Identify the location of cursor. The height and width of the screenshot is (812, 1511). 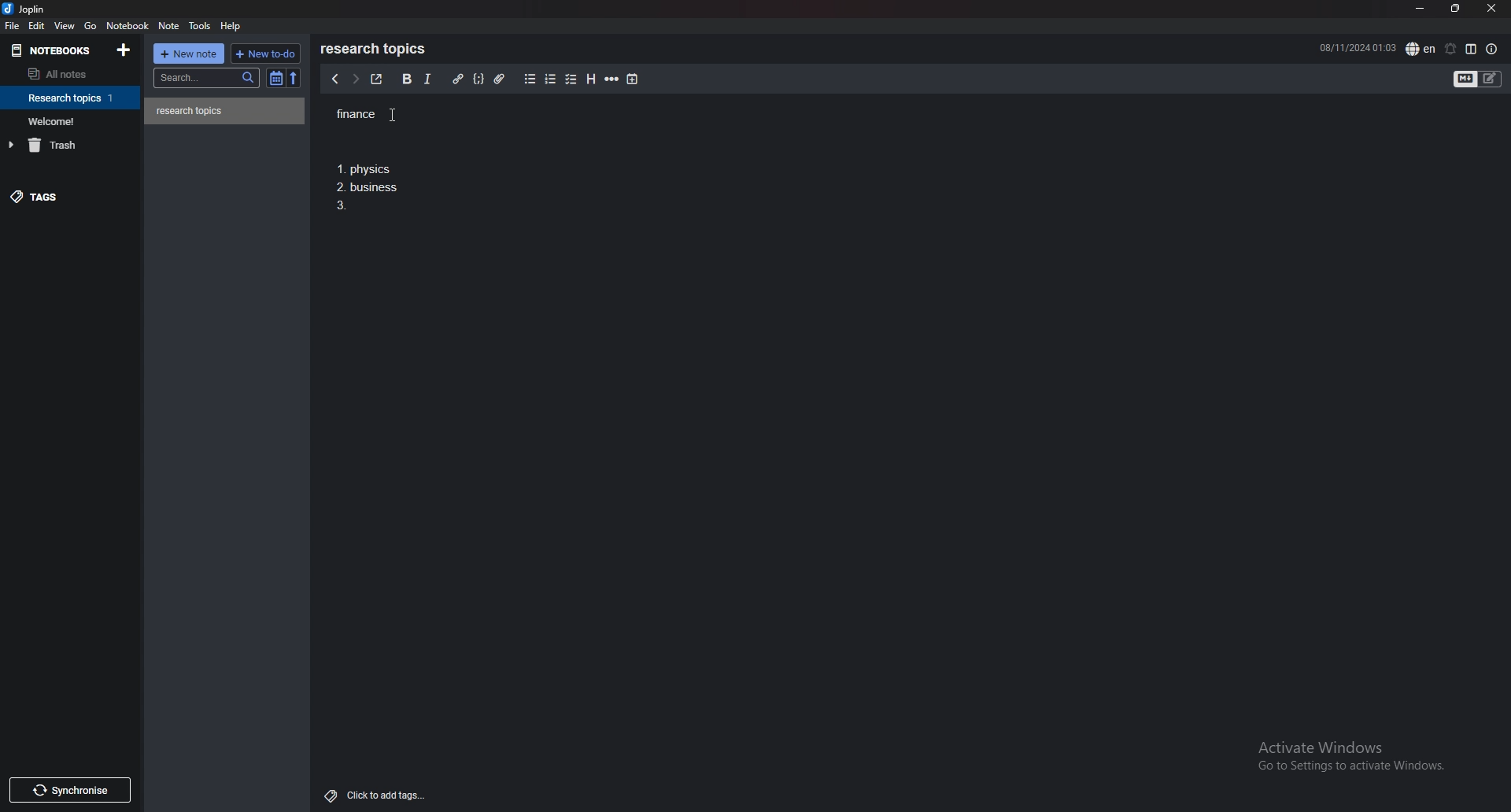
(403, 115).